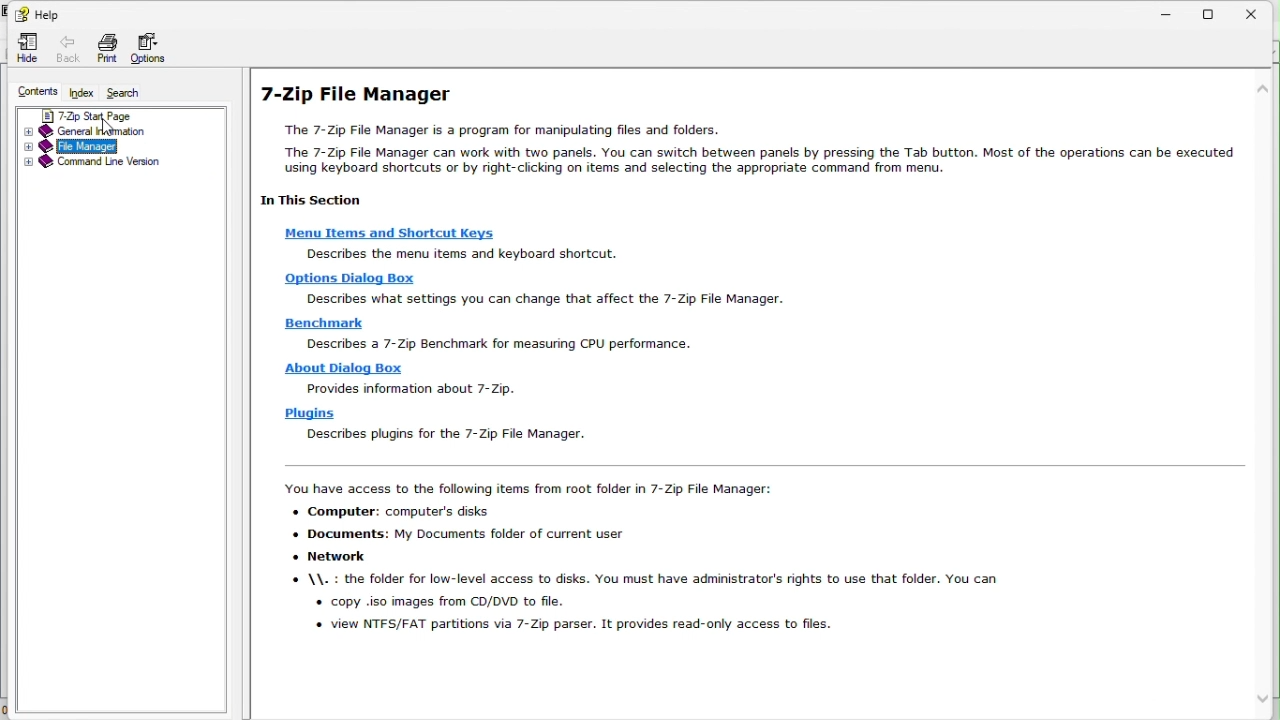 The width and height of the screenshot is (1280, 720). I want to click on Index, so click(82, 91).